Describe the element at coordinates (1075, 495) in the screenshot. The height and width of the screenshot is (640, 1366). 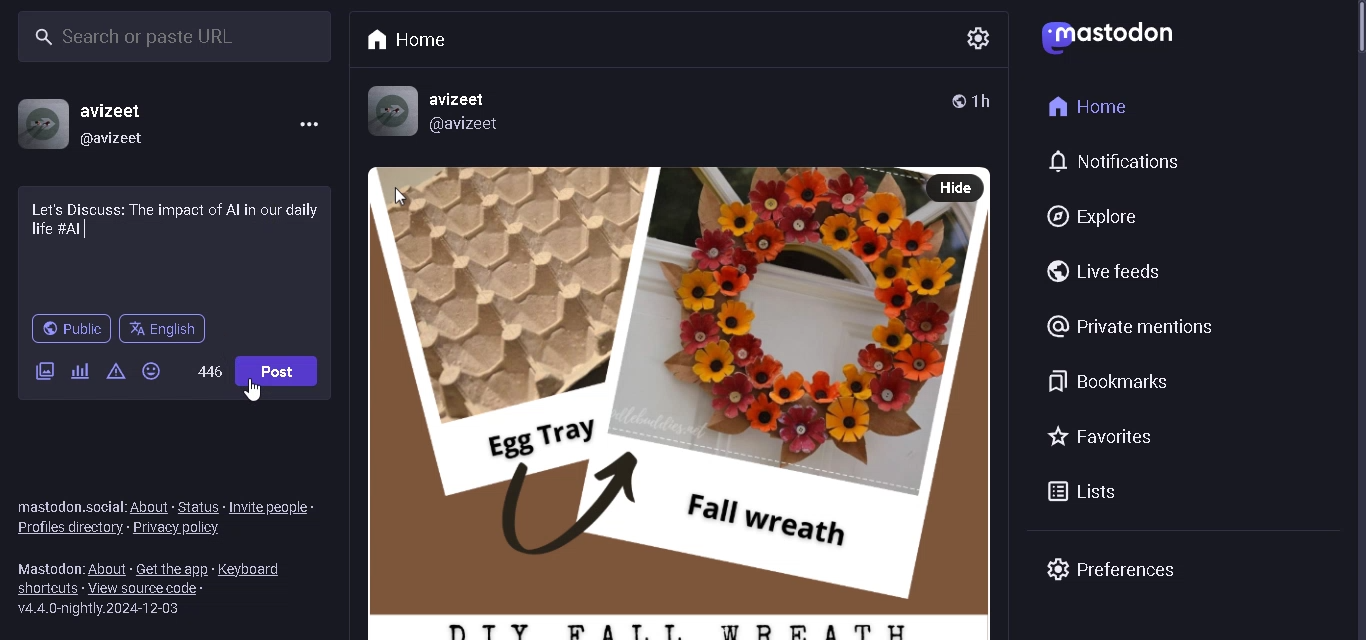
I see `LISTS` at that location.